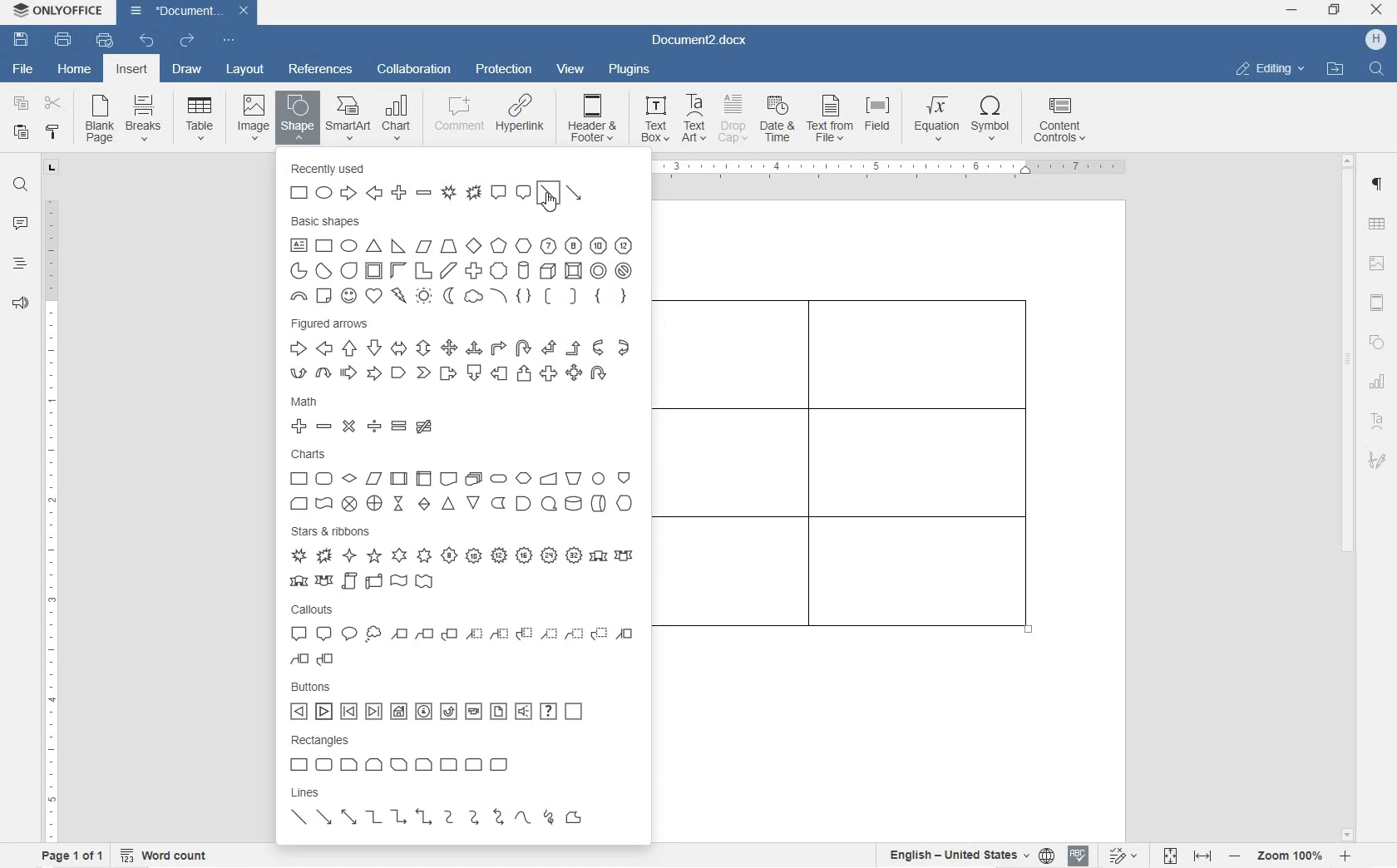  What do you see at coordinates (189, 12) in the screenshot?
I see `Document3.docx` at bounding box center [189, 12].